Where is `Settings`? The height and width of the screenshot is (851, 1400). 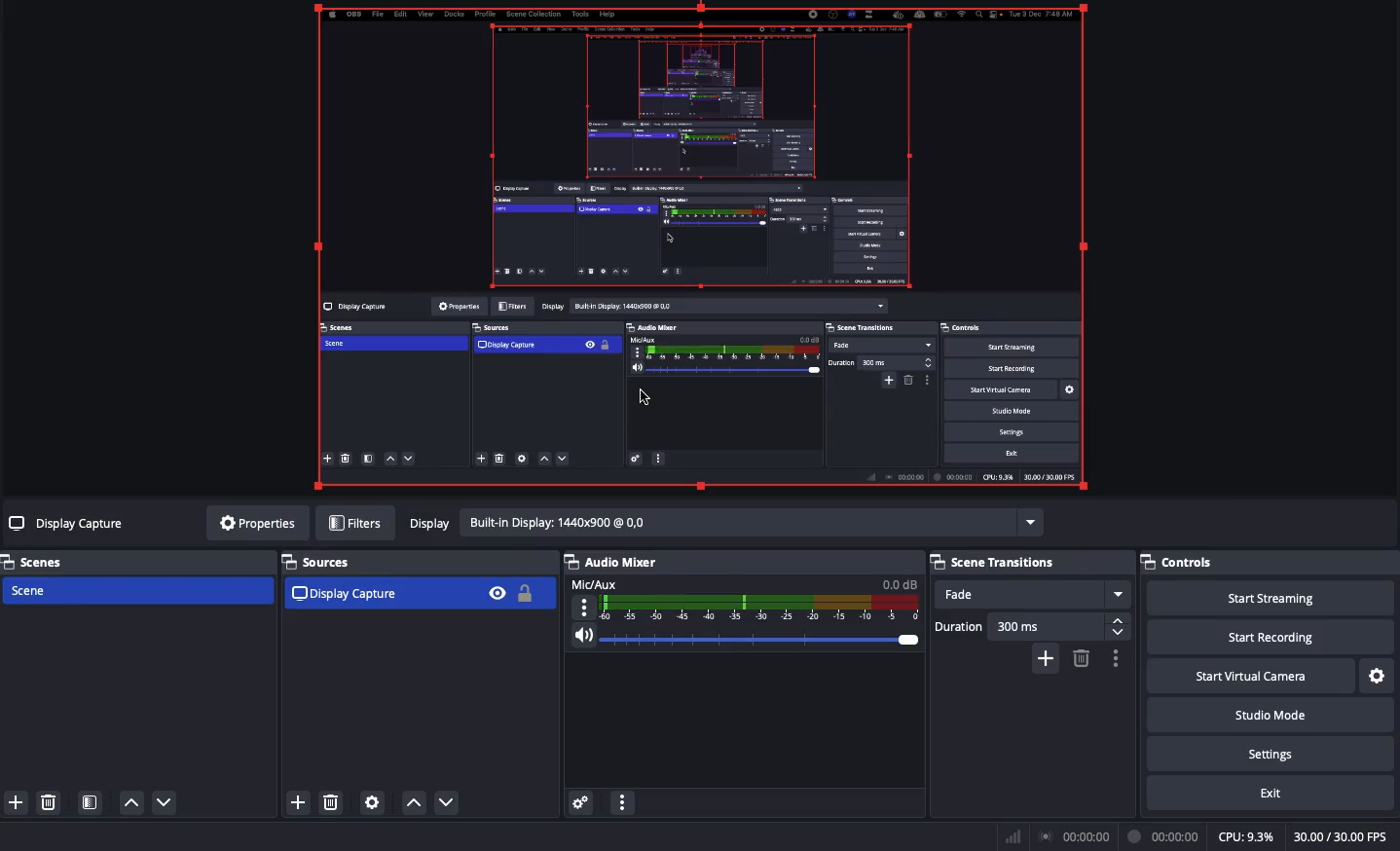
Settings is located at coordinates (375, 803).